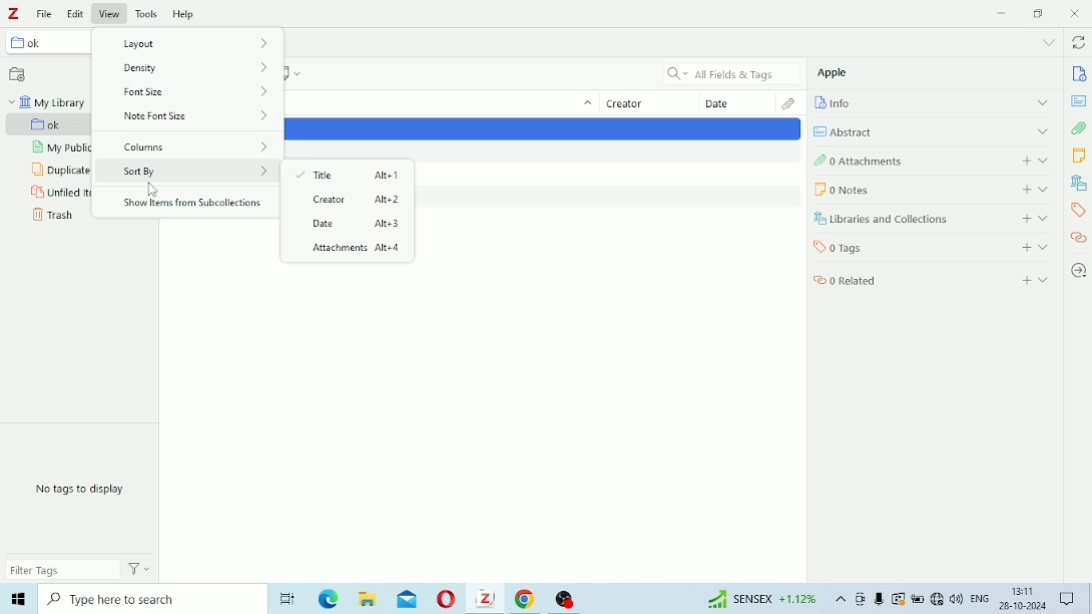 The image size is (1092, 614). What do you see at coordinates (17, 13) in the screenshot?
I see `Zotero logo` at bounding box center [17, 13].